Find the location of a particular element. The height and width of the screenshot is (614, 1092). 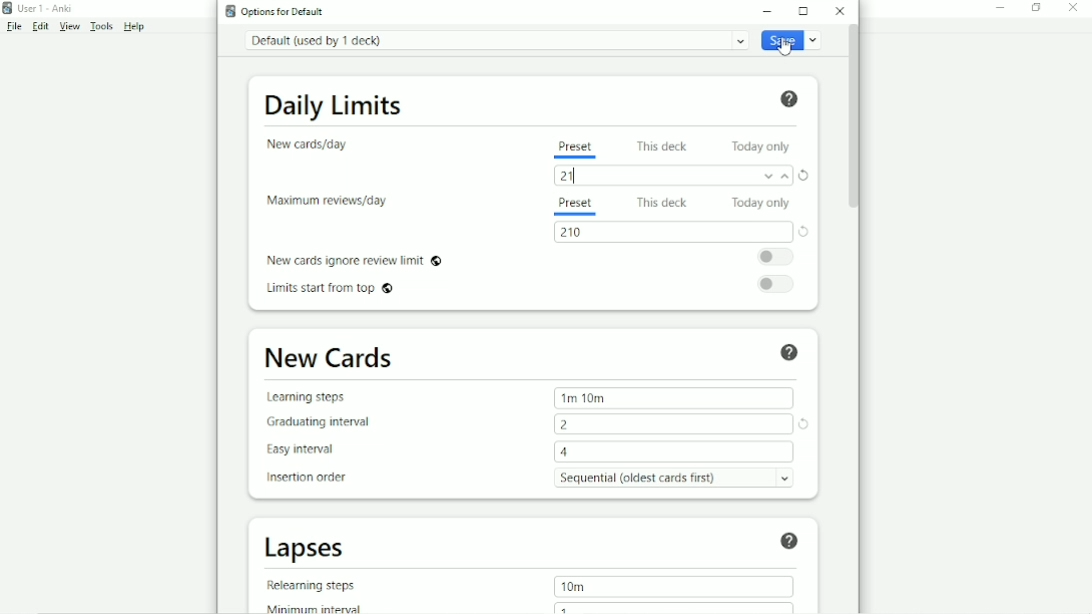

Default (used by 1 deck) is located at coordinates (495, 40).